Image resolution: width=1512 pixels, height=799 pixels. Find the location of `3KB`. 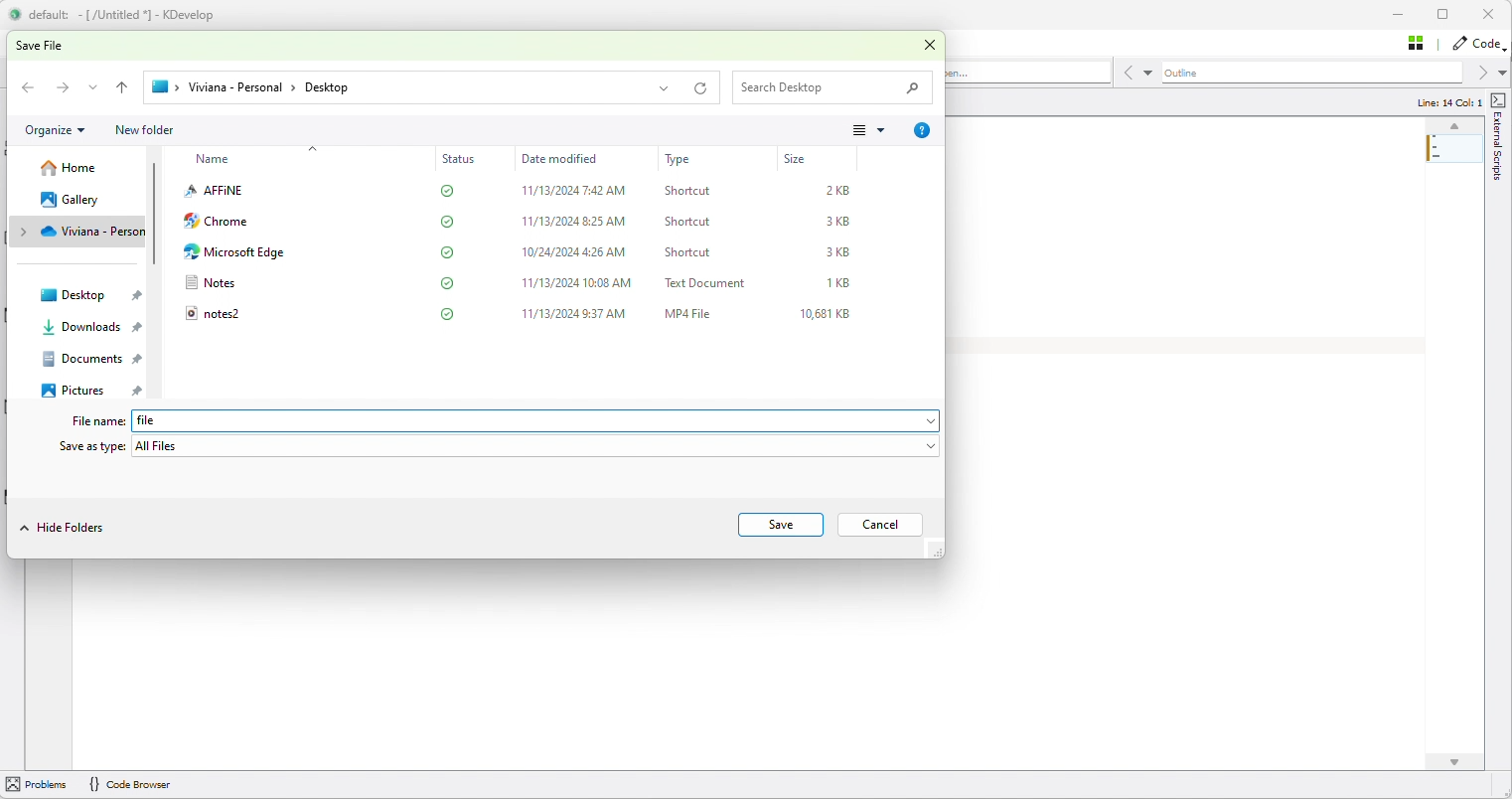

3KB is located at coordinates (841, 222).